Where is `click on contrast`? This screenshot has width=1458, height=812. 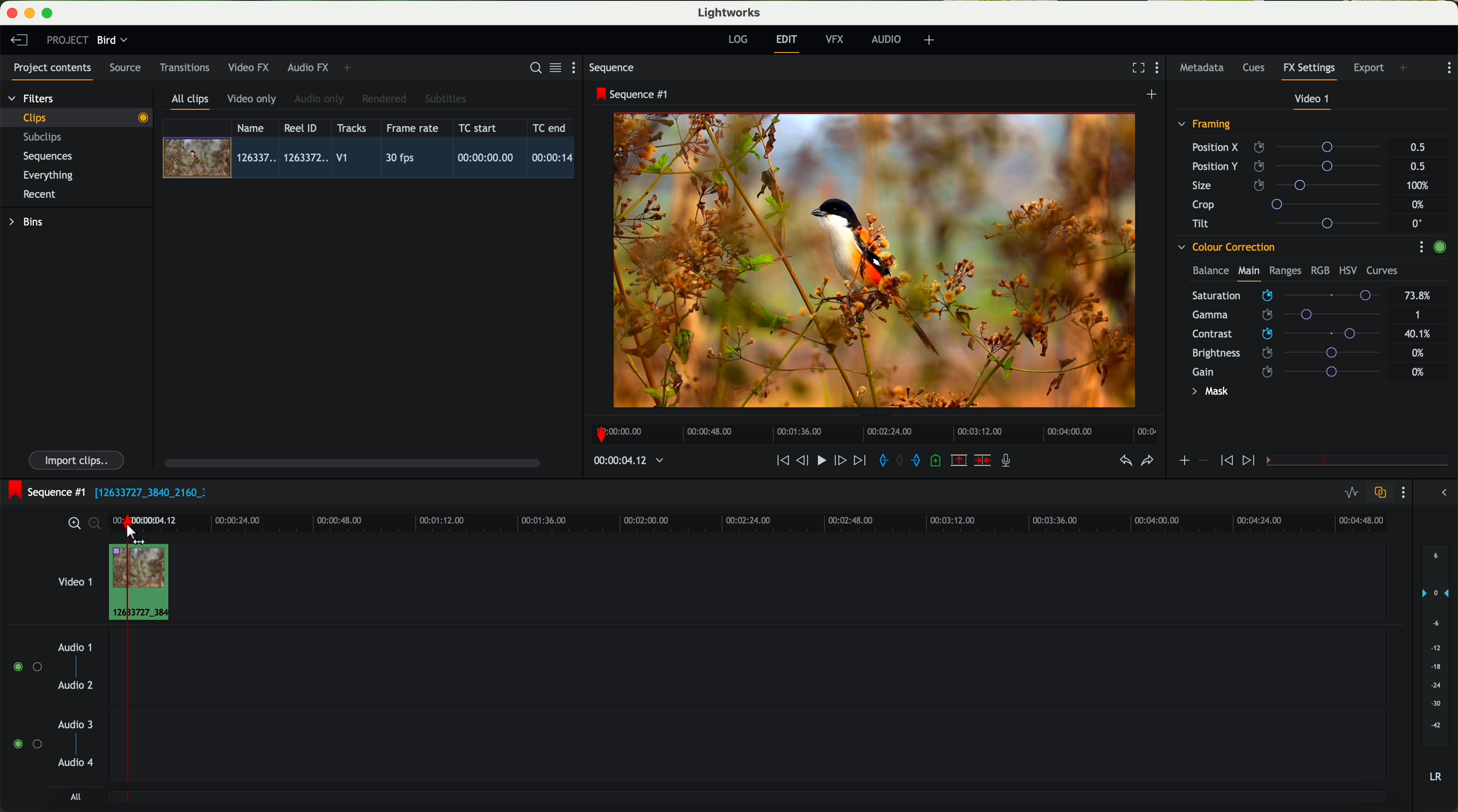
click on contrast is located at coordinates (1286, 335).